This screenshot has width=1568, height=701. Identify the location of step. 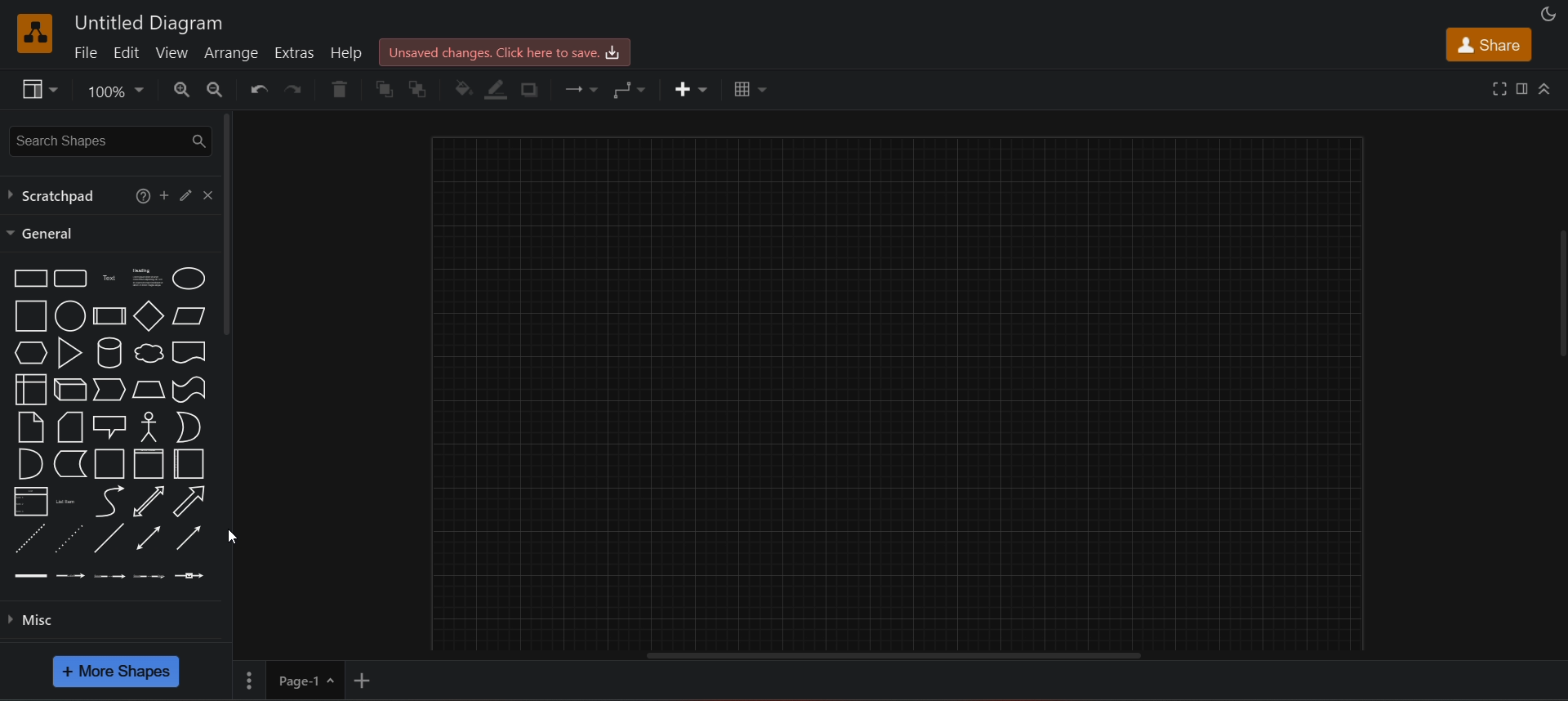
(109, 388).